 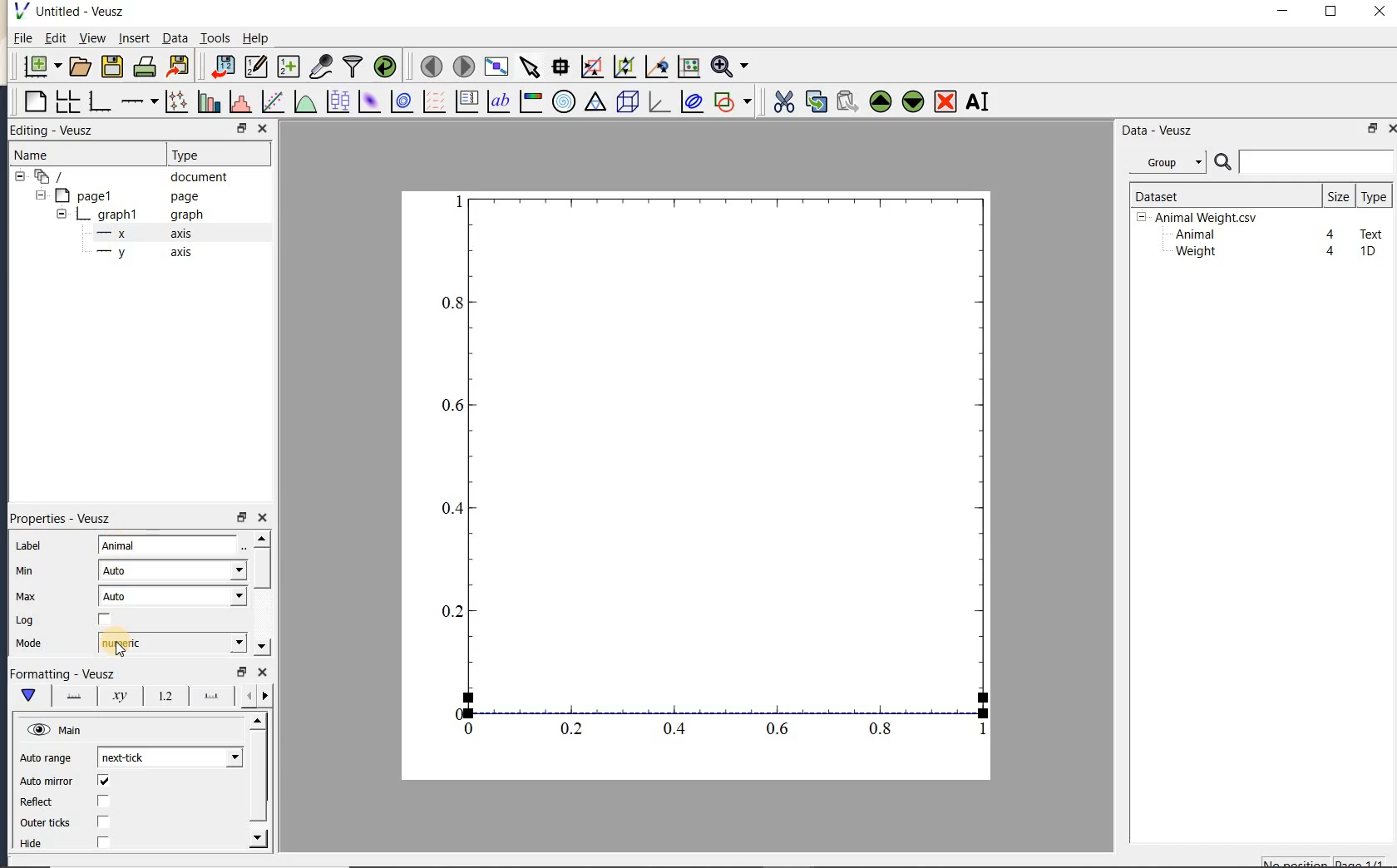 I want to click on add a shape to the plot, so click(x=732, y=101).